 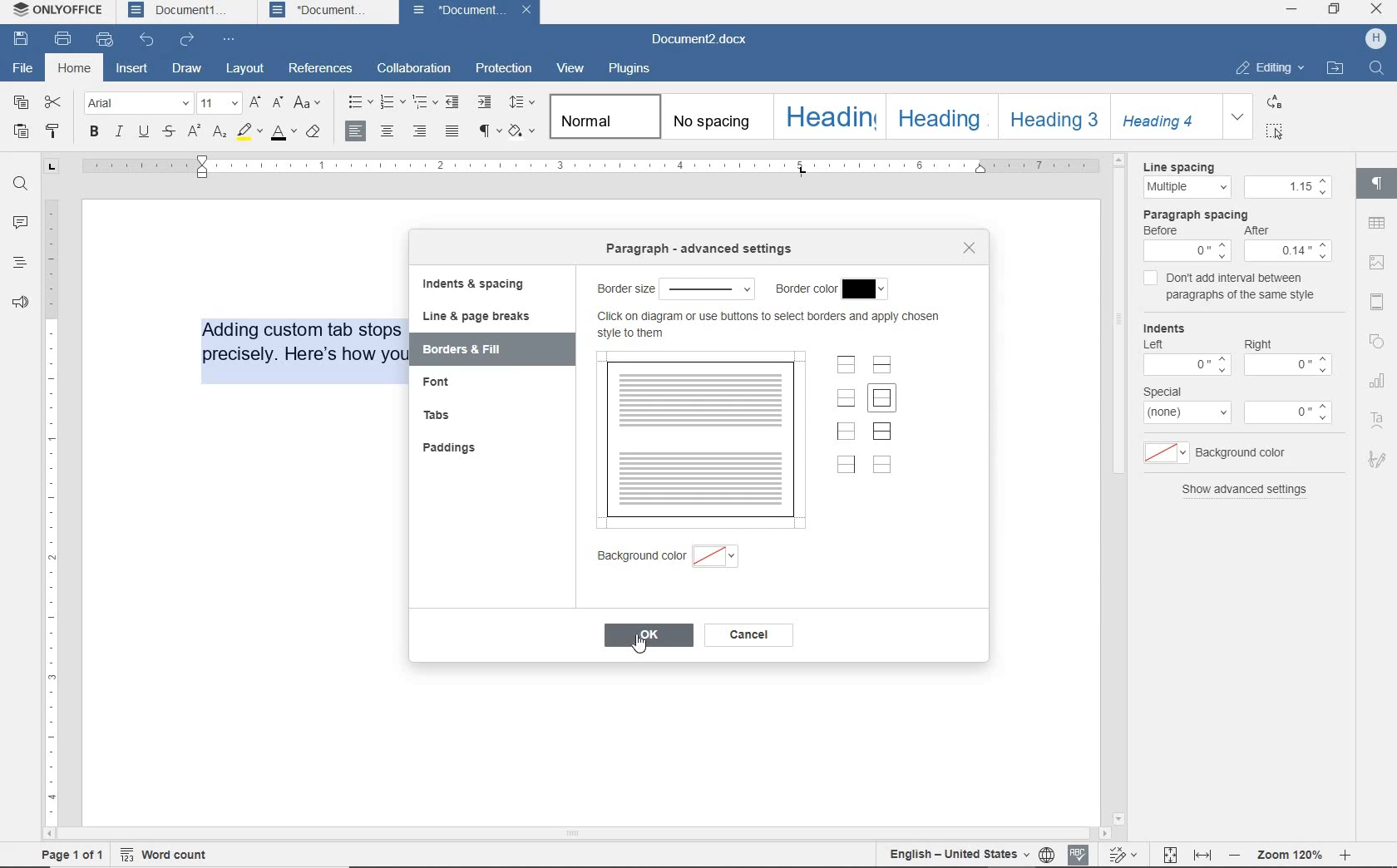 I want to click on after, so click(x=1266, y=229).